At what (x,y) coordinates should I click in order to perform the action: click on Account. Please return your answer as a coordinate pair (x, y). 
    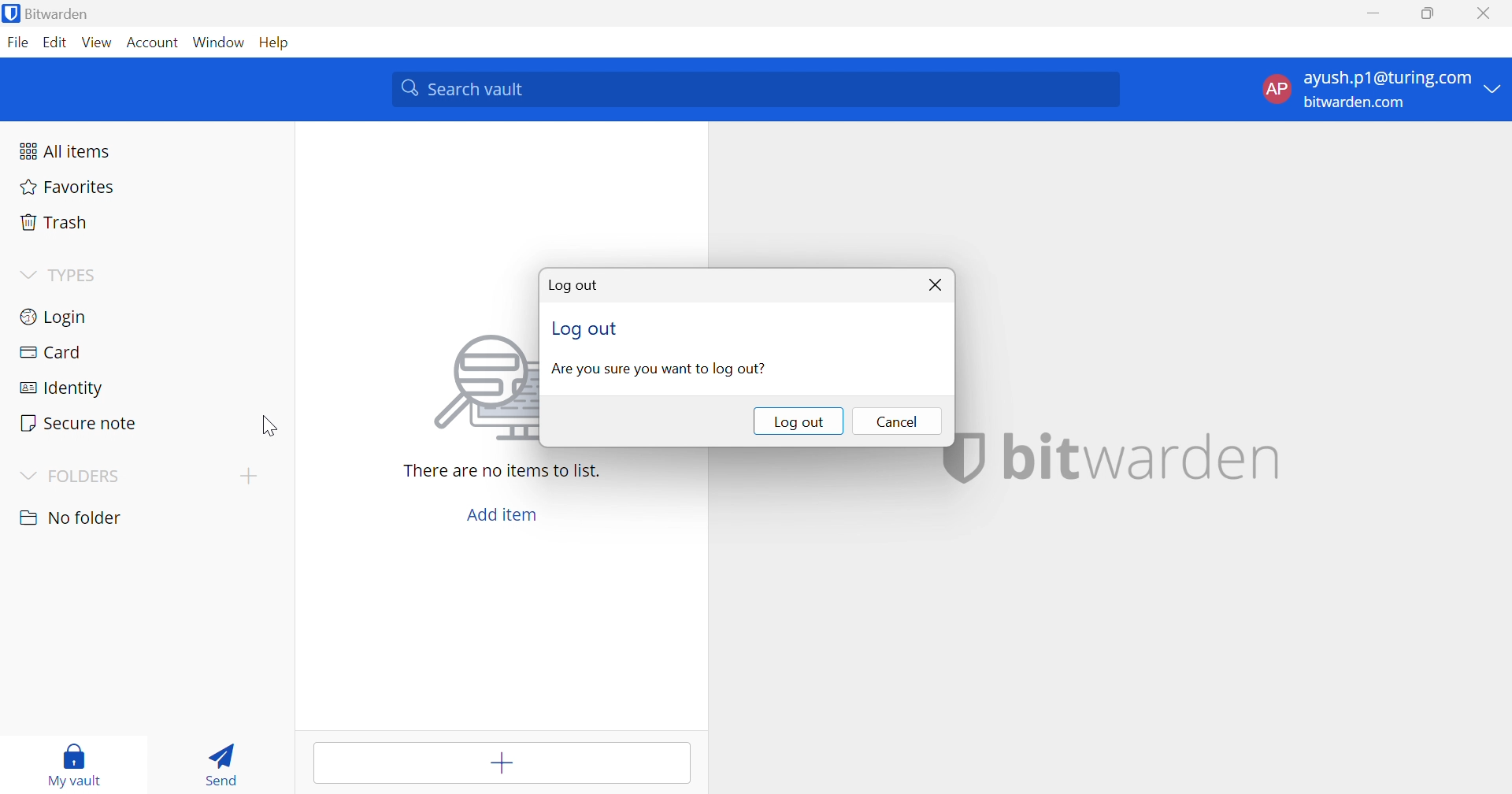
    Looking at the image, I should click on (152, 42).